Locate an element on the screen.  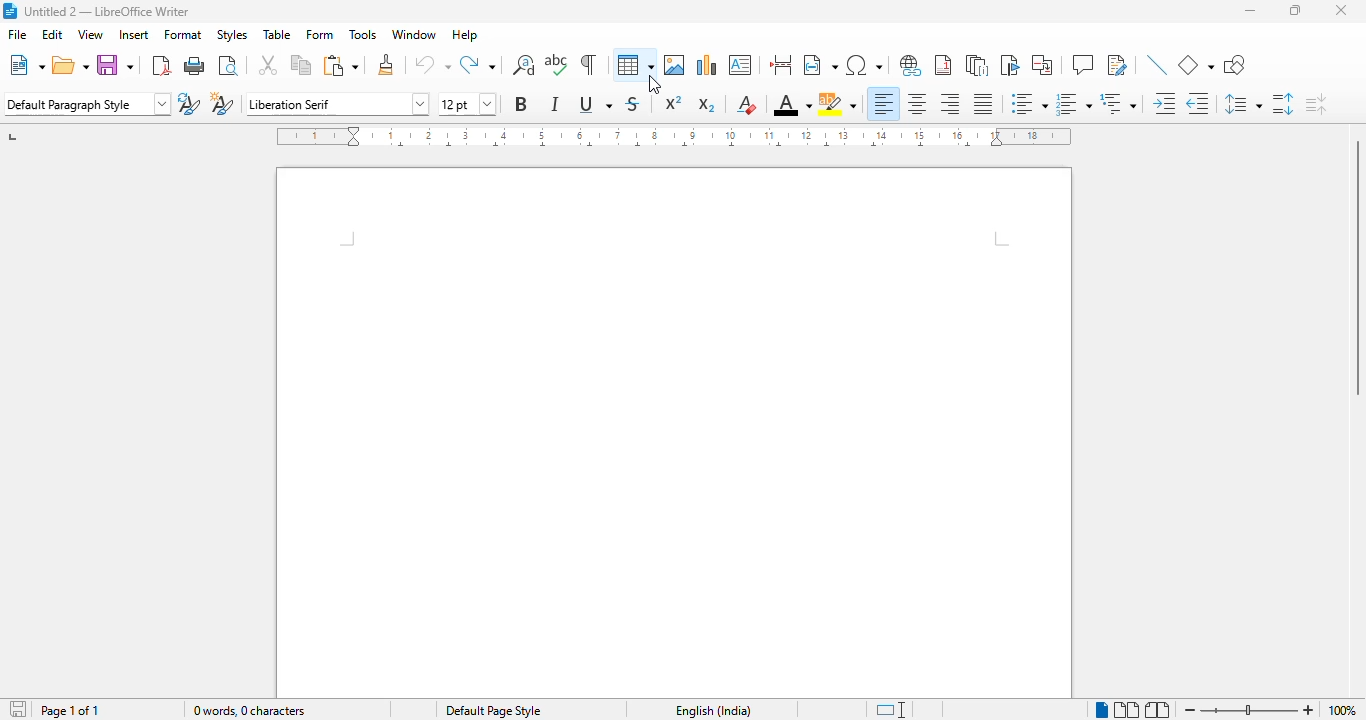
edit is located at coordinates (53, 34).